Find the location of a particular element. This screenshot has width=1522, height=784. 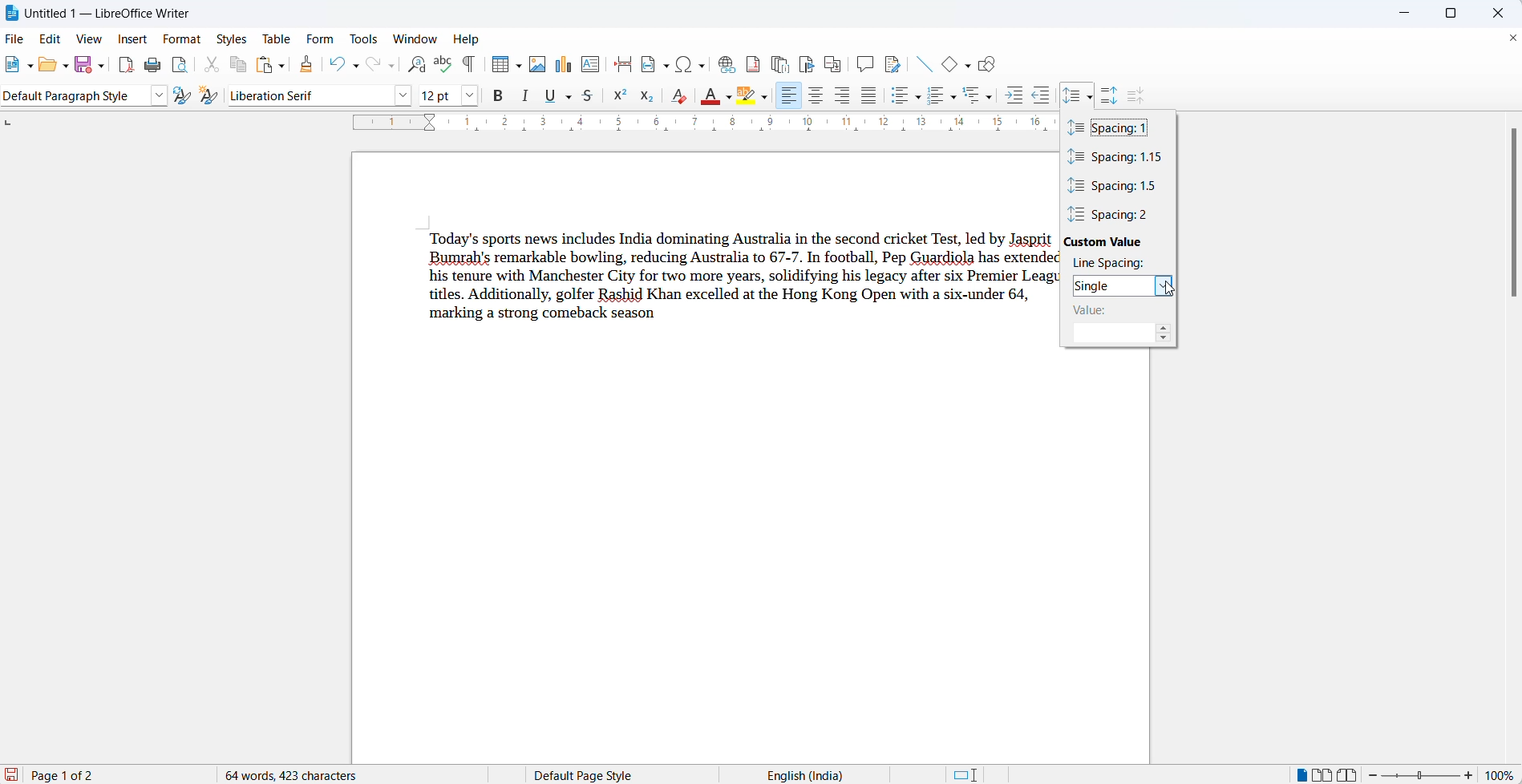

spacing value 2 is located at coordinates (1118, 214).